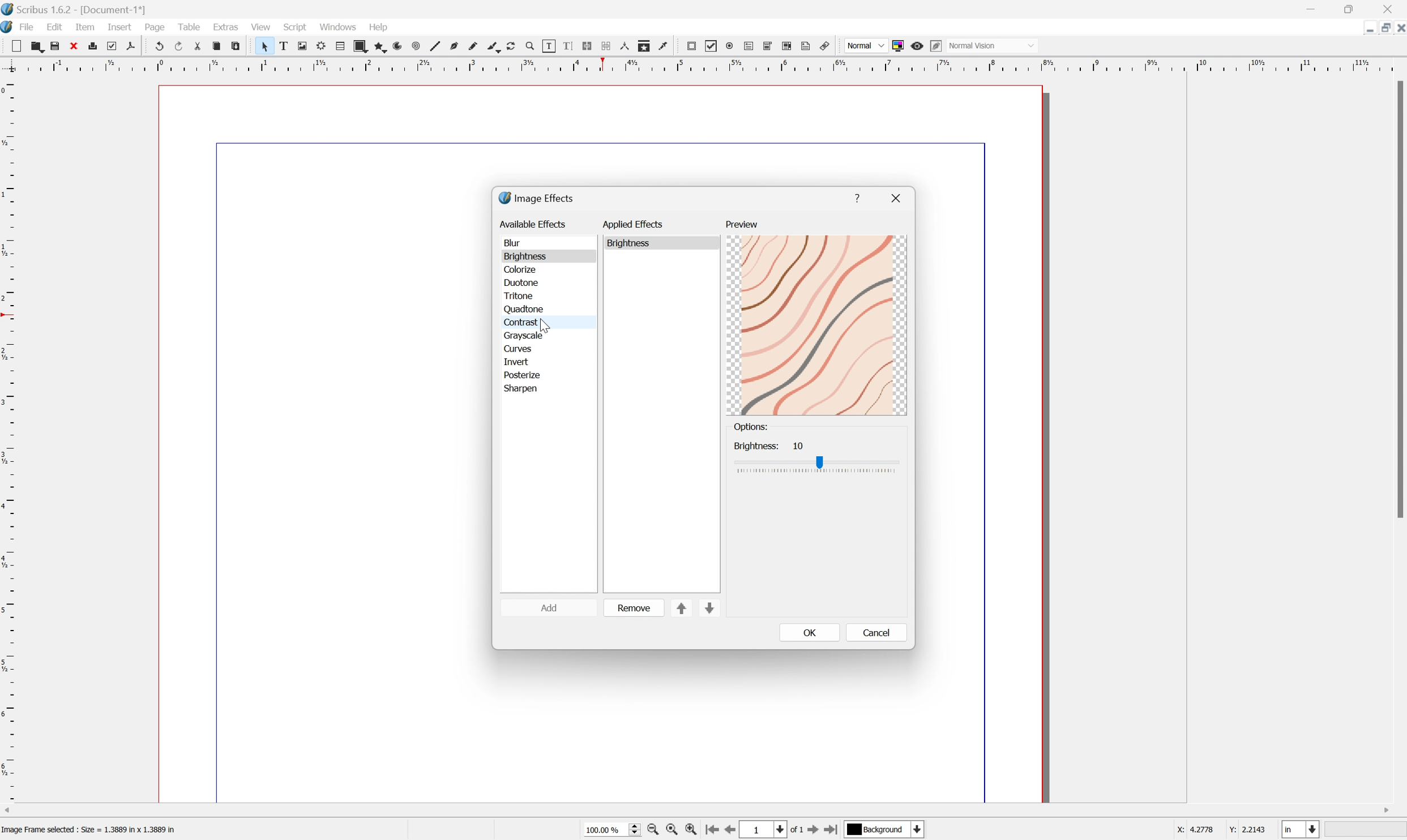 This screenshot has width=1407, height=840. Describe the element at coordinates (534, 224) in the screenshot. I see `available effects` at that location.